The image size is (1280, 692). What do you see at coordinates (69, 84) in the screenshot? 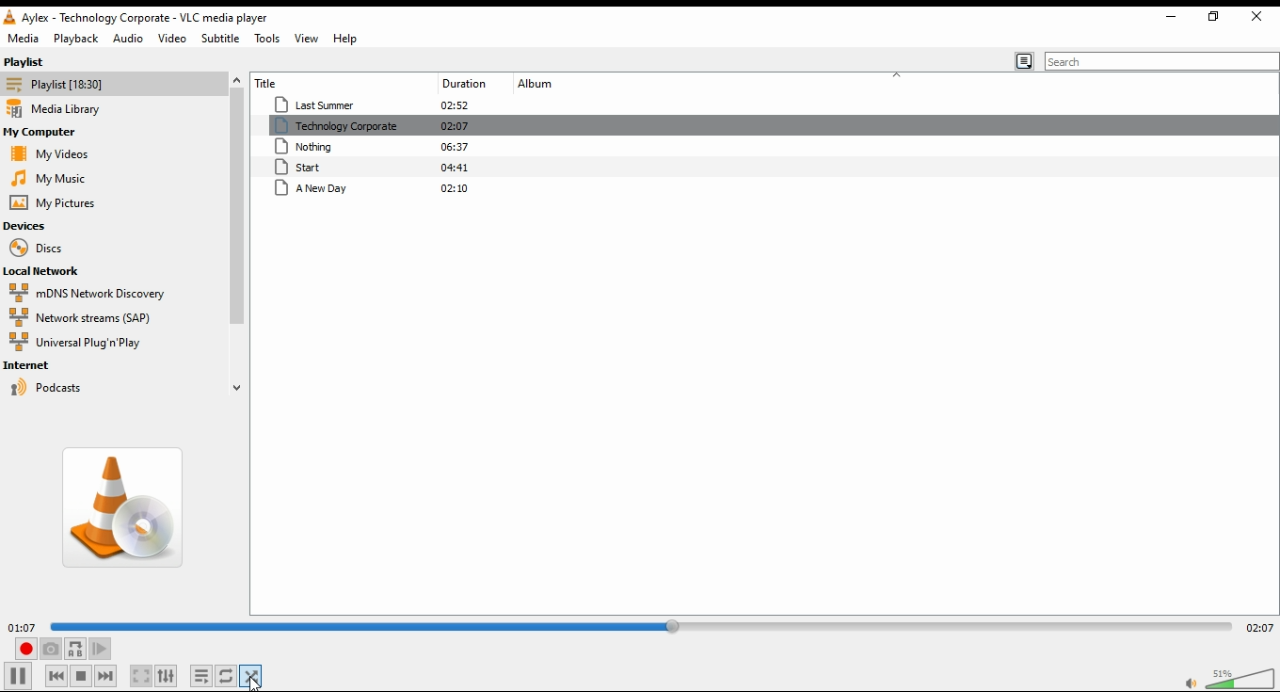
I see `playlist` at bounding box center [69, 84].